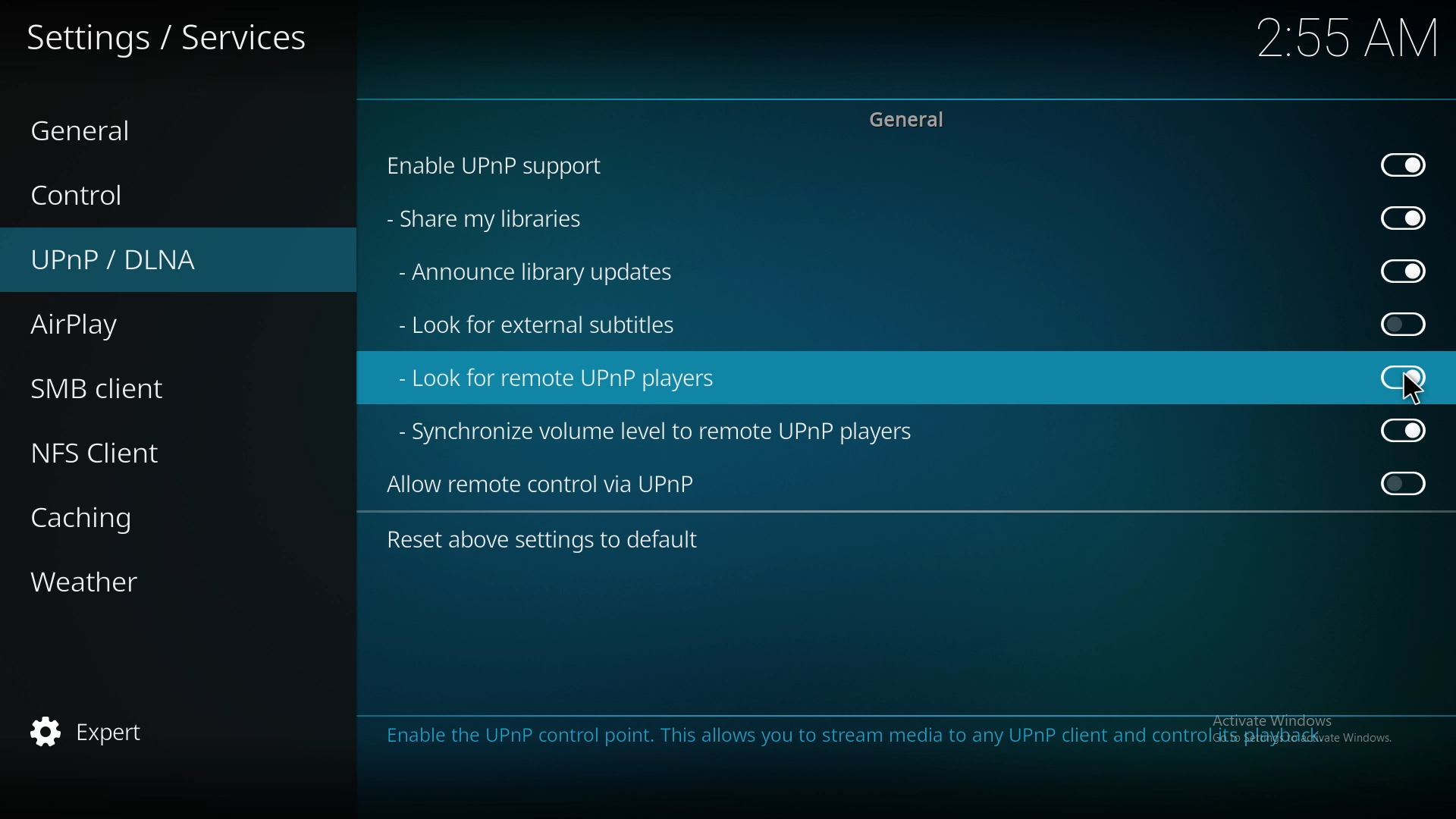  Describe the element at coordinates (121, 389) in the screenshot. I see `smb client` at that location.